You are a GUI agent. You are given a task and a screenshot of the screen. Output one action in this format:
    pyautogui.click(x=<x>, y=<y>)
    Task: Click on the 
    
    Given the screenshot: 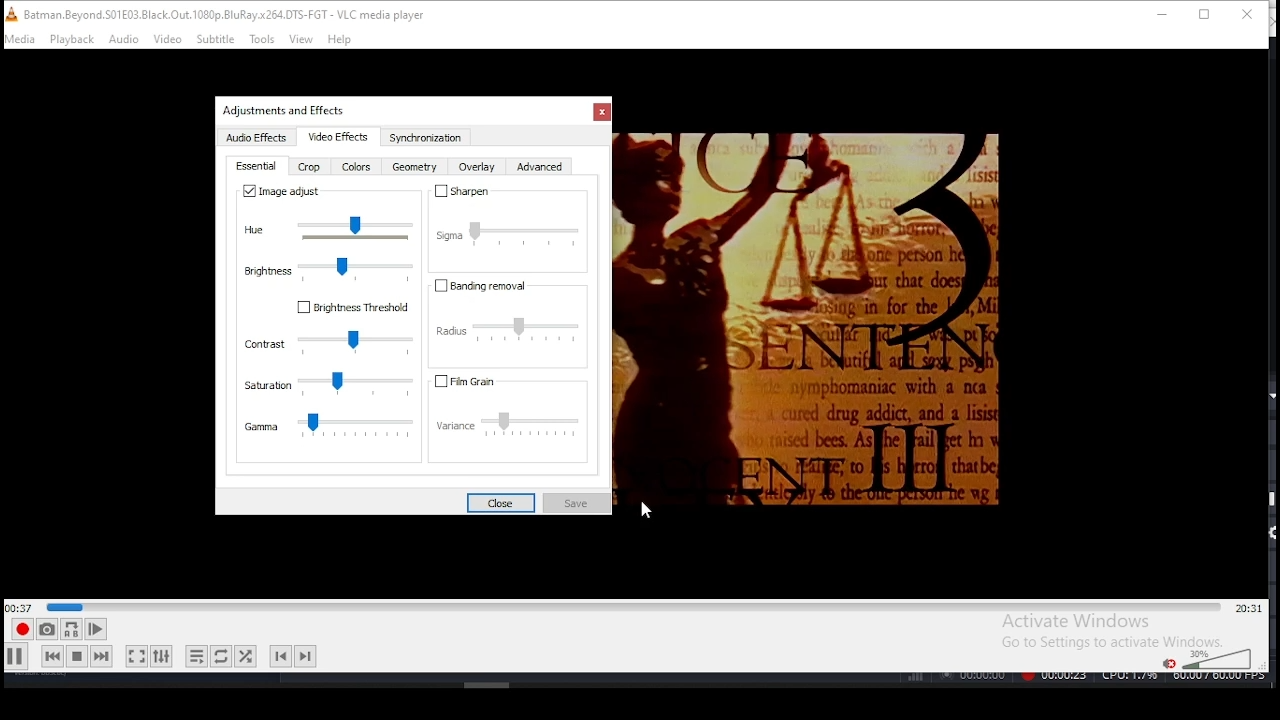 What is the action you would take?
    pyautogui.click(x=288, y=109)
    